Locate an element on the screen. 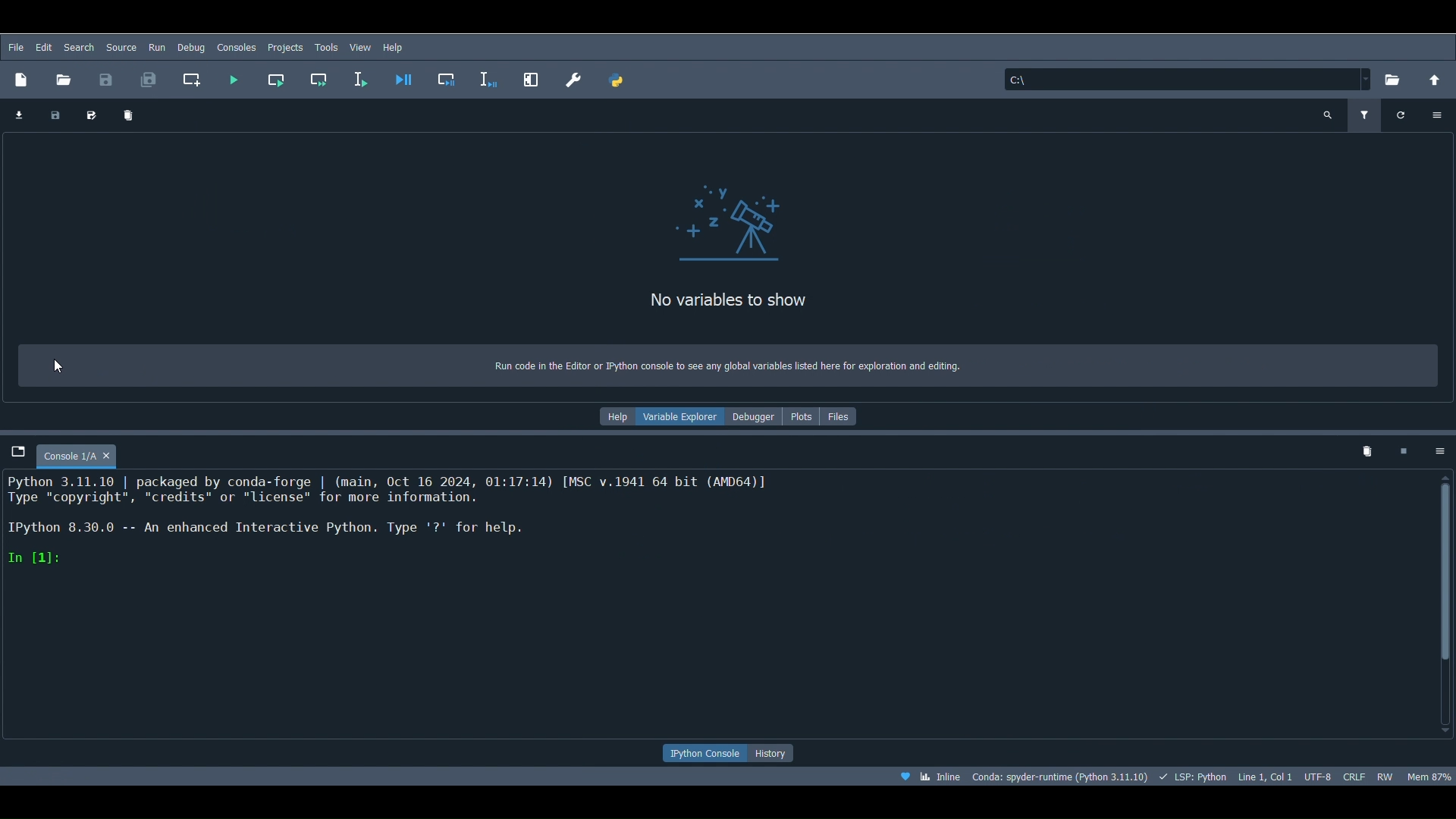 The width and height of the screenshot is (1456, 819). Search is located at coordinates (121, 48).